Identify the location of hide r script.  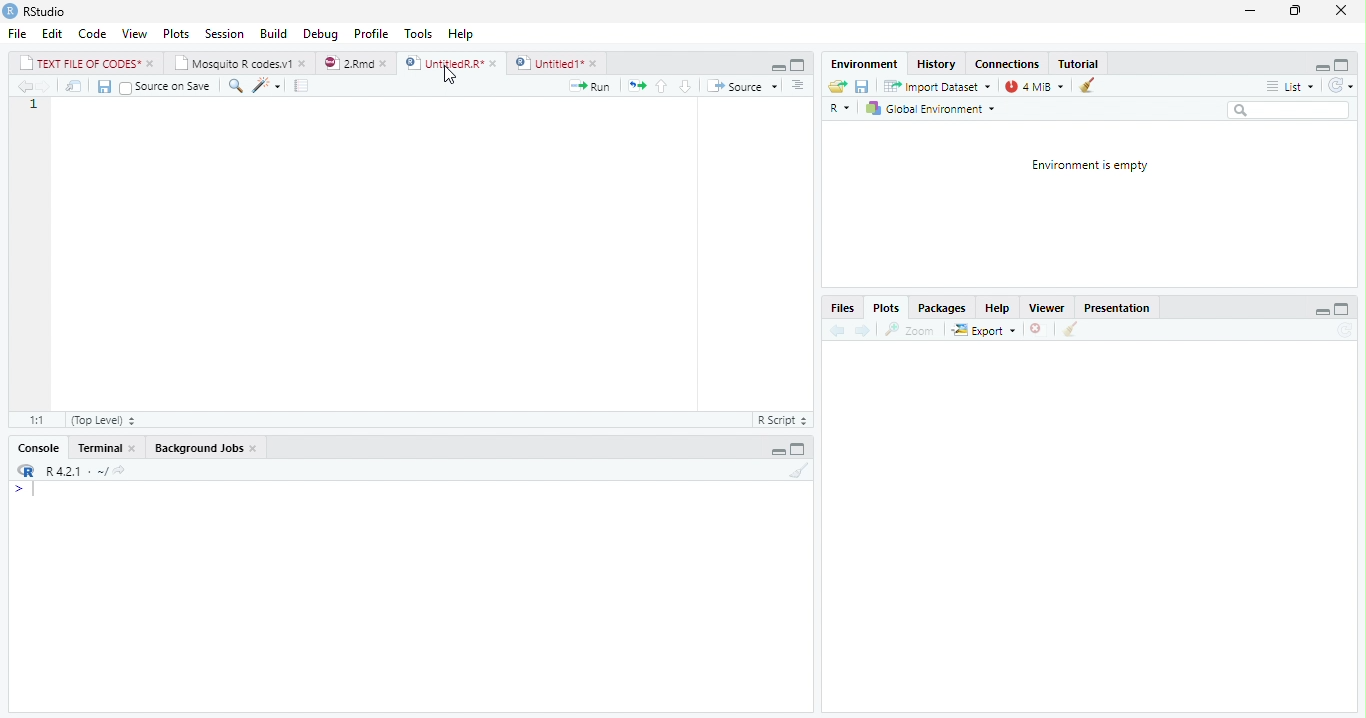
(775, 67).